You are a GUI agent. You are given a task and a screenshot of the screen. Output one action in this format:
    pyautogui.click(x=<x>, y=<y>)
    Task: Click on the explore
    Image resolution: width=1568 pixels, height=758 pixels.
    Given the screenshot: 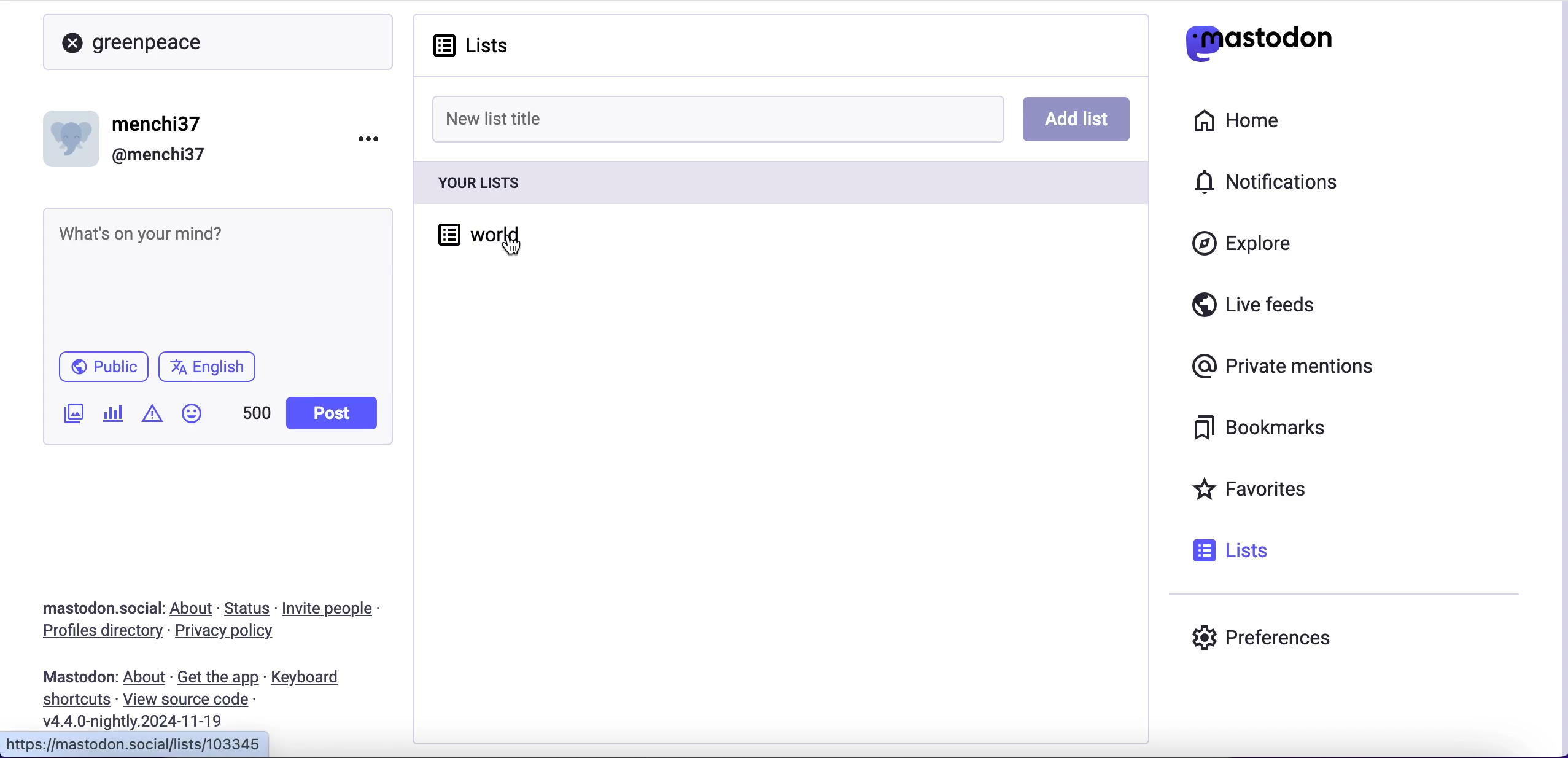 What is the action you would take?
    pyautogui.click(x=1254, y=244)
    